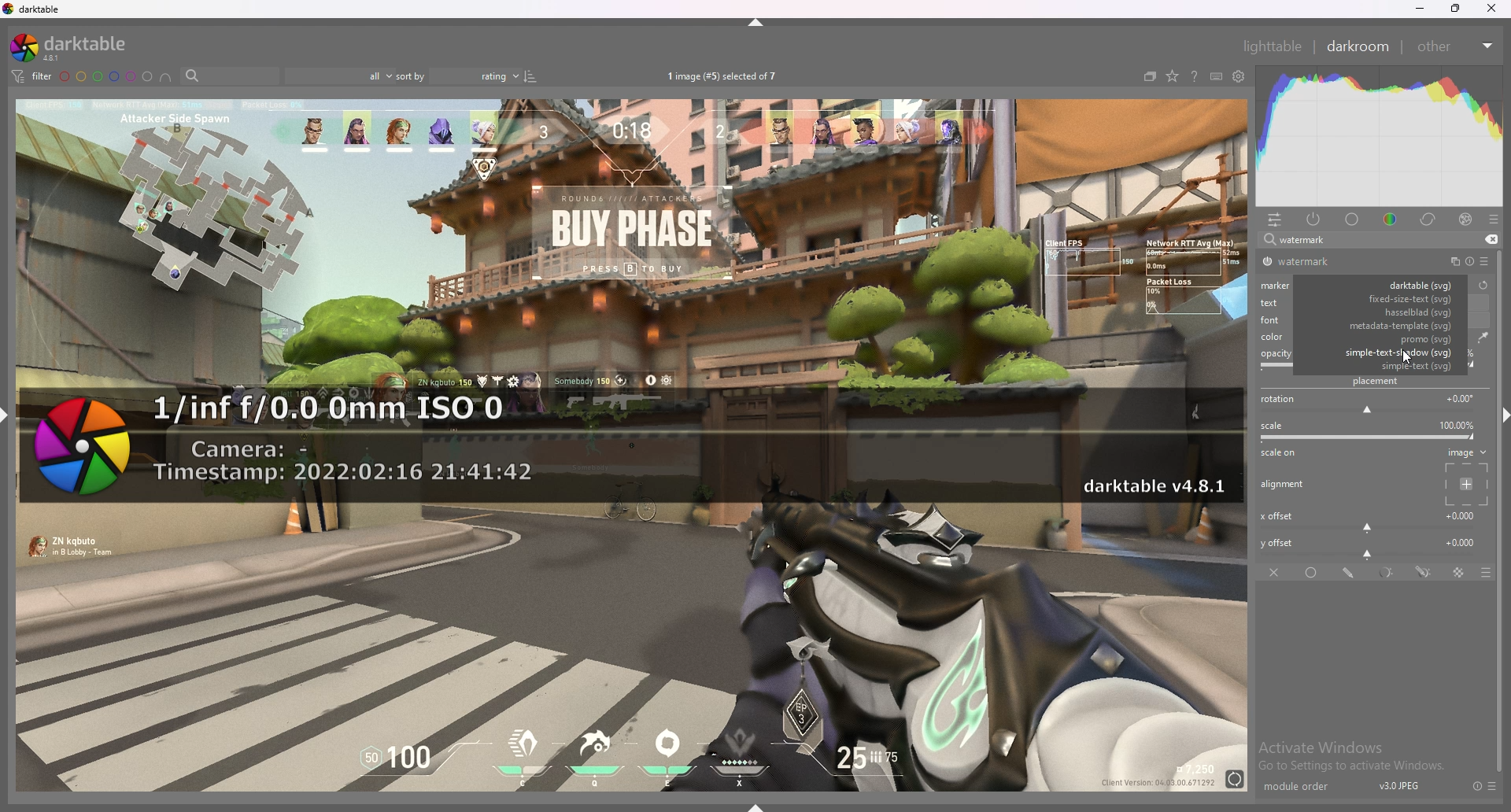 The width and height of the screenshot is (1511, 812). Describe the element at coordinates (758, 22) in the screenshot. I see `hide` at that location.